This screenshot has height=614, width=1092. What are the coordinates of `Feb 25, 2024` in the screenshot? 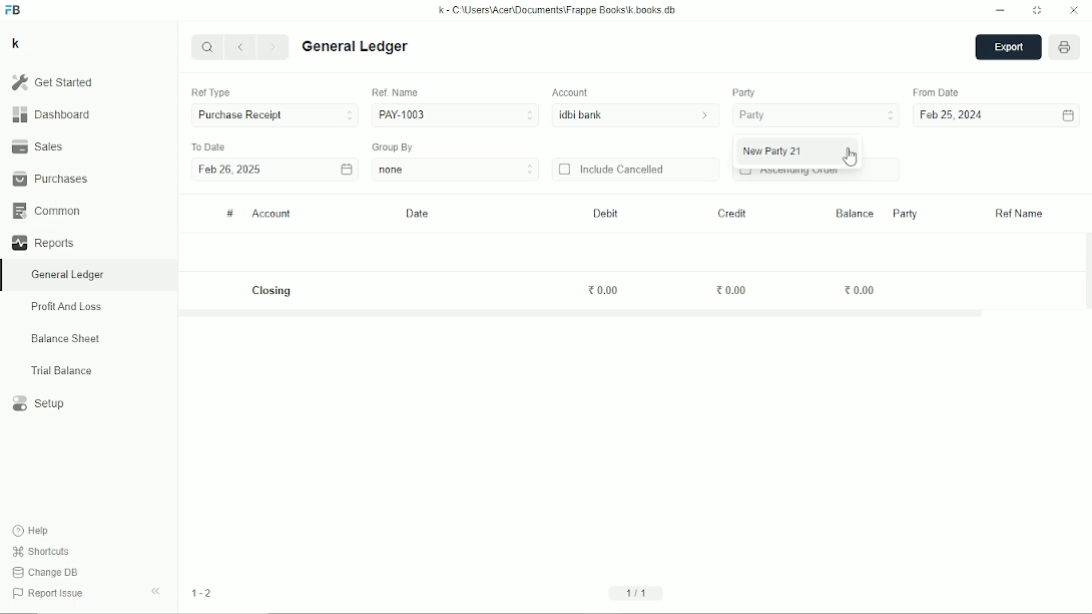 It's located at (953, 116).